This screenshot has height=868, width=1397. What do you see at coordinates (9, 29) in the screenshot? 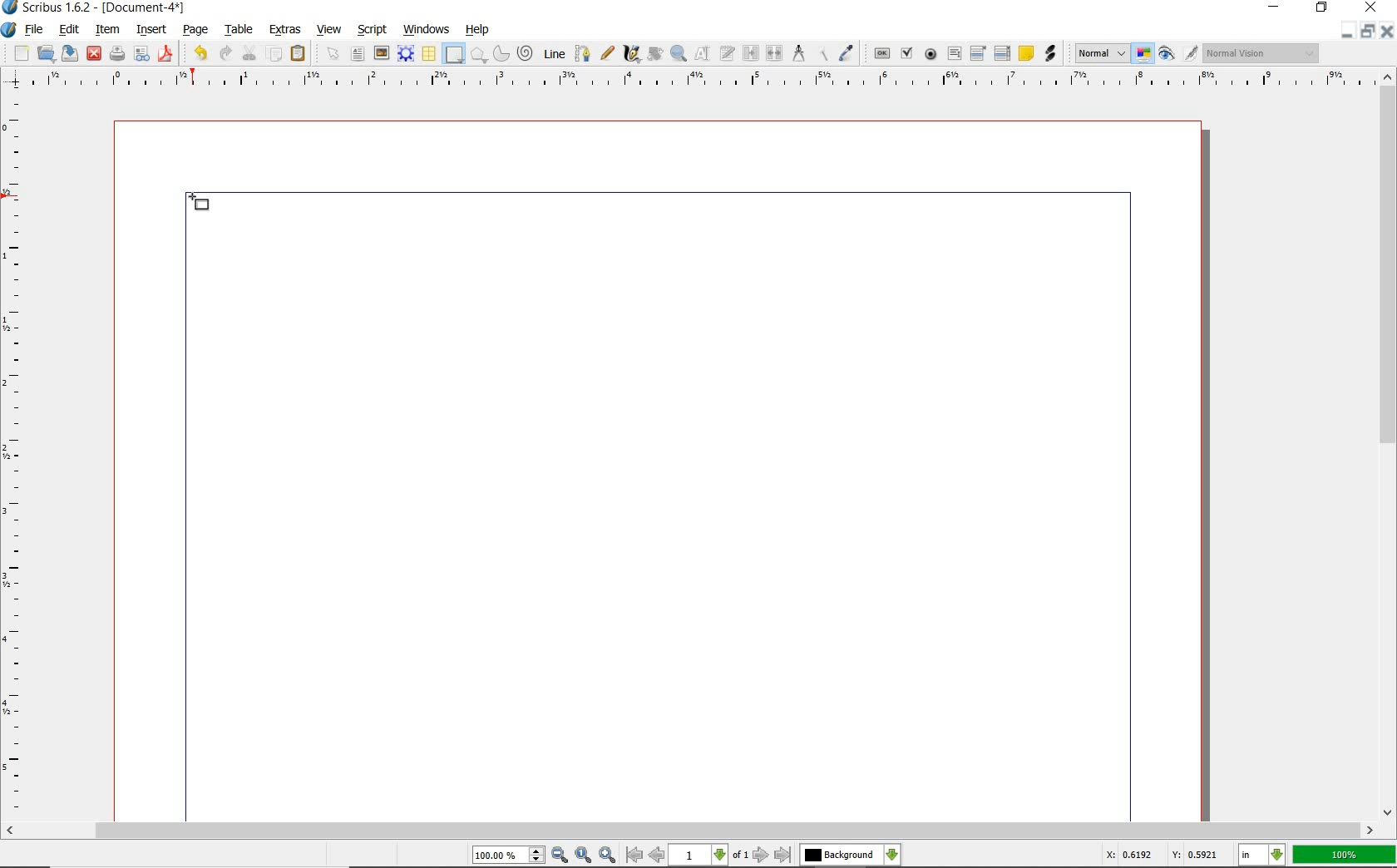
I see `system icon` at bounding box center [9, 29].